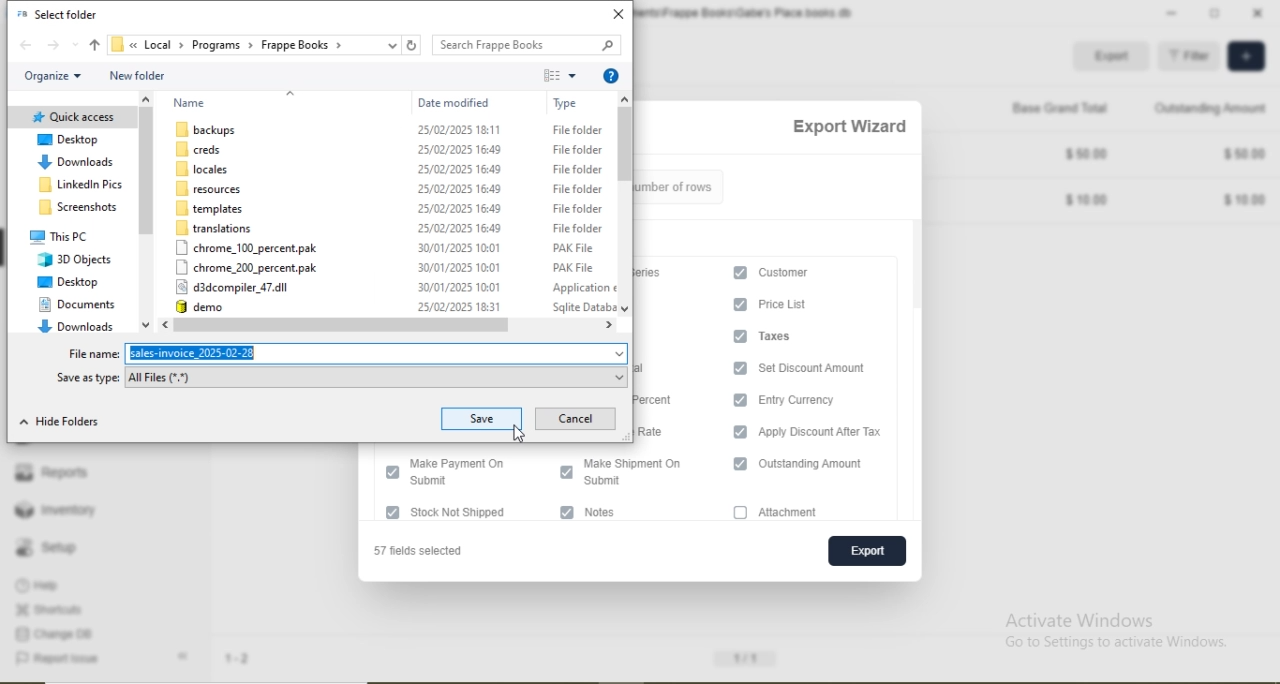  I want to click on Downloads, so click(74, 163).